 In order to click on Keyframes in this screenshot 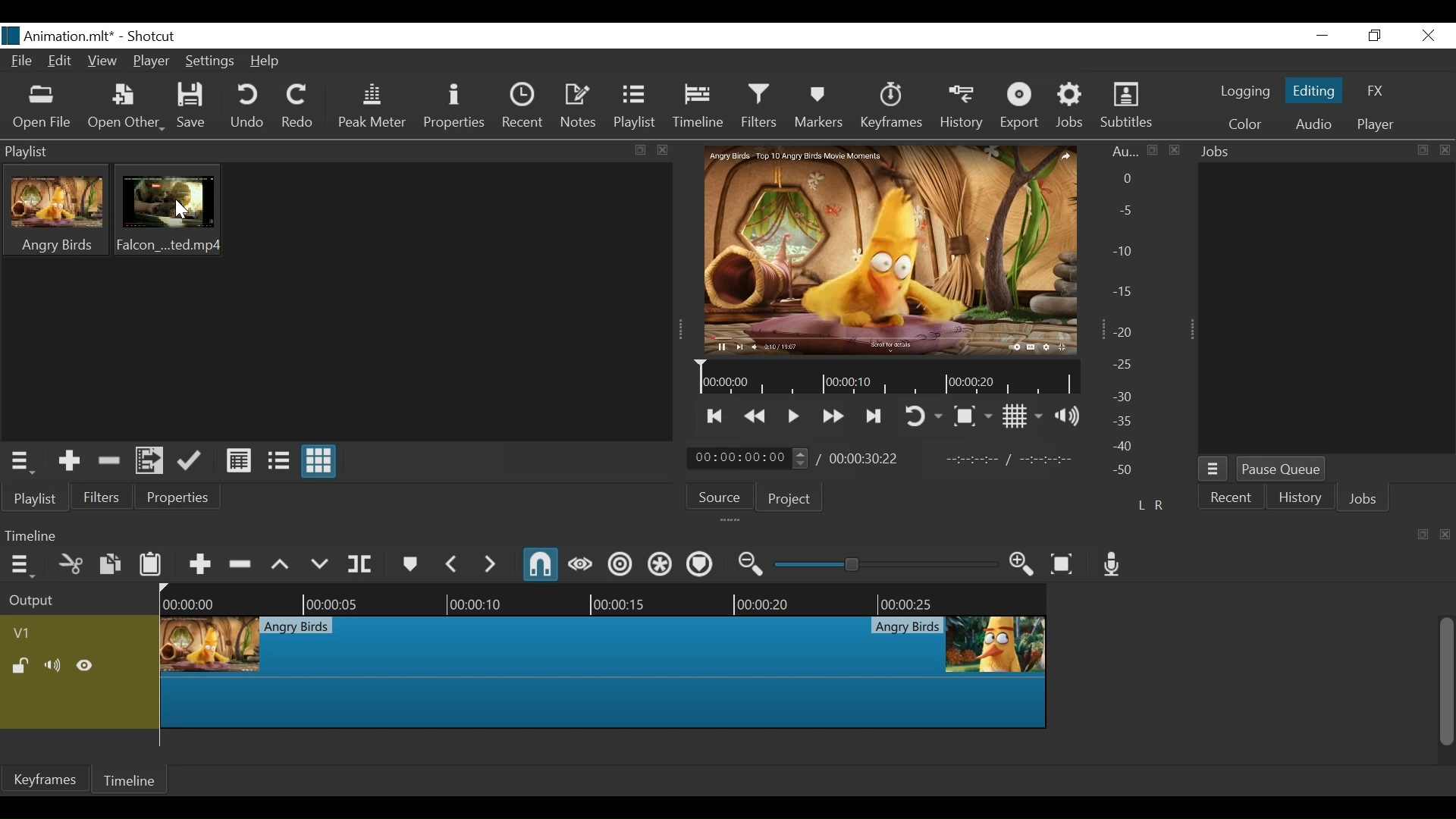, I will do `click(891, 108)`.